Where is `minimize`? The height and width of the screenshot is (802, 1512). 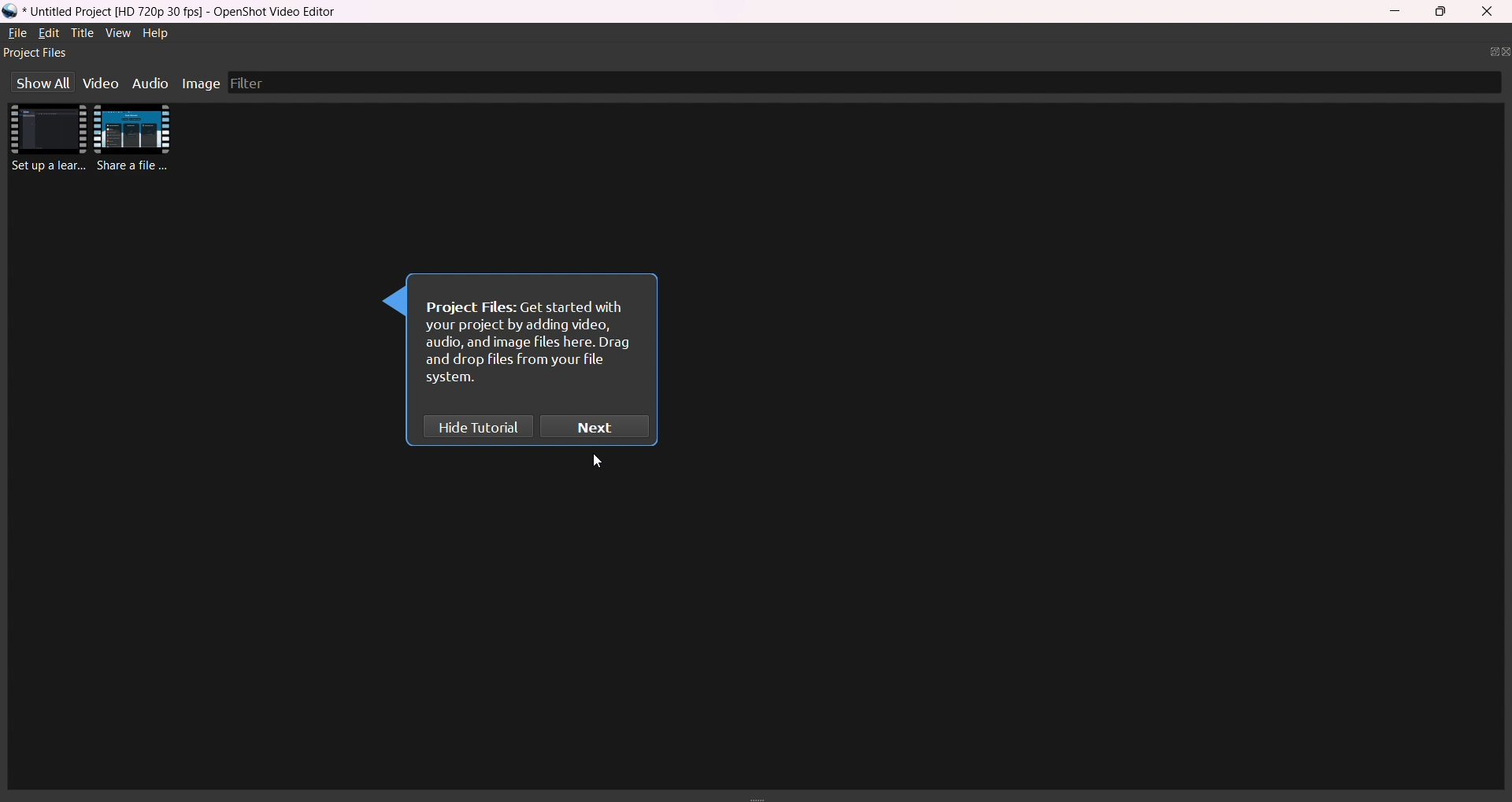 minimize is located at coordinates (1390, 15).